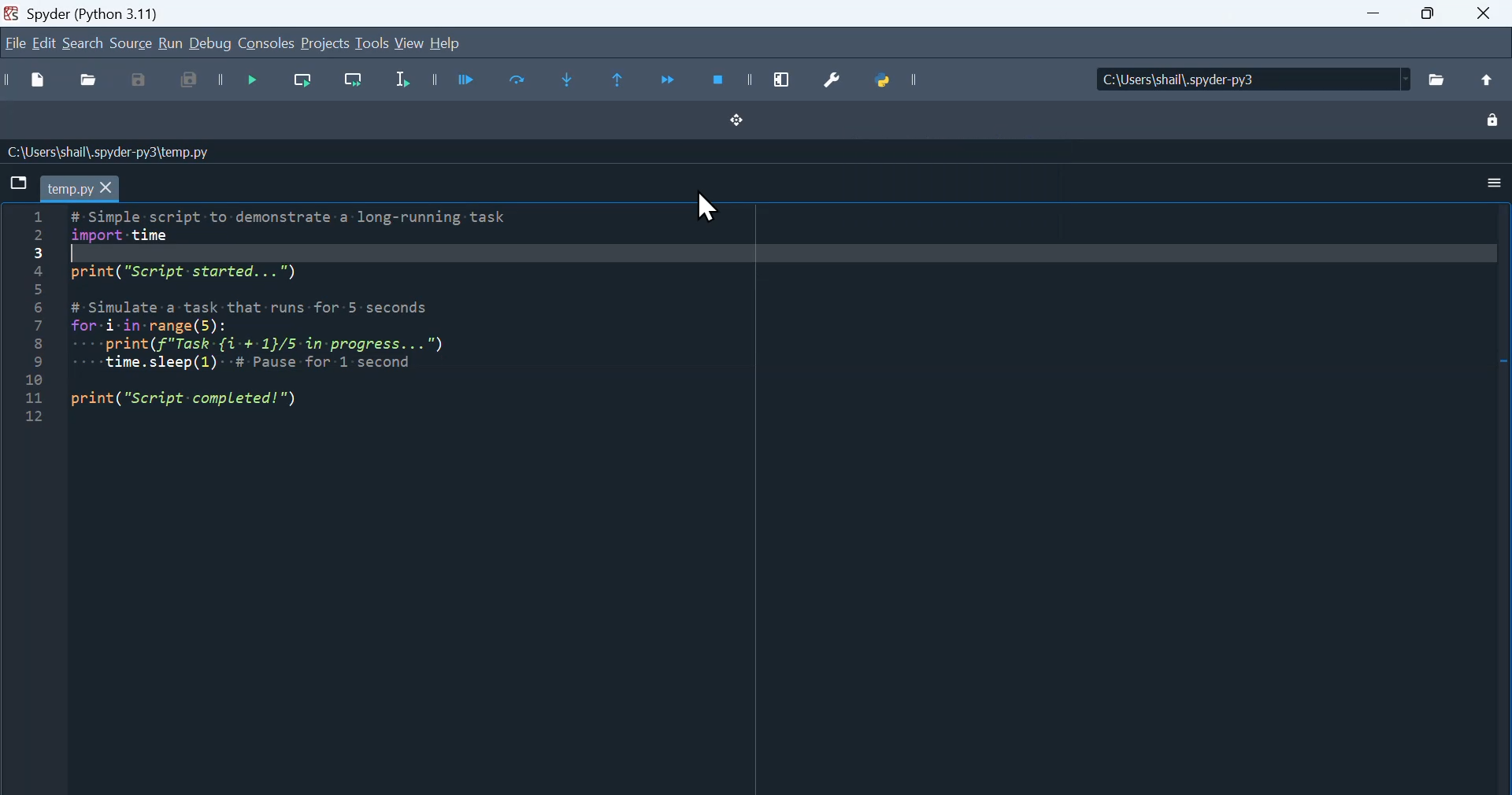  I want to click on Filename, so click(88, 187).